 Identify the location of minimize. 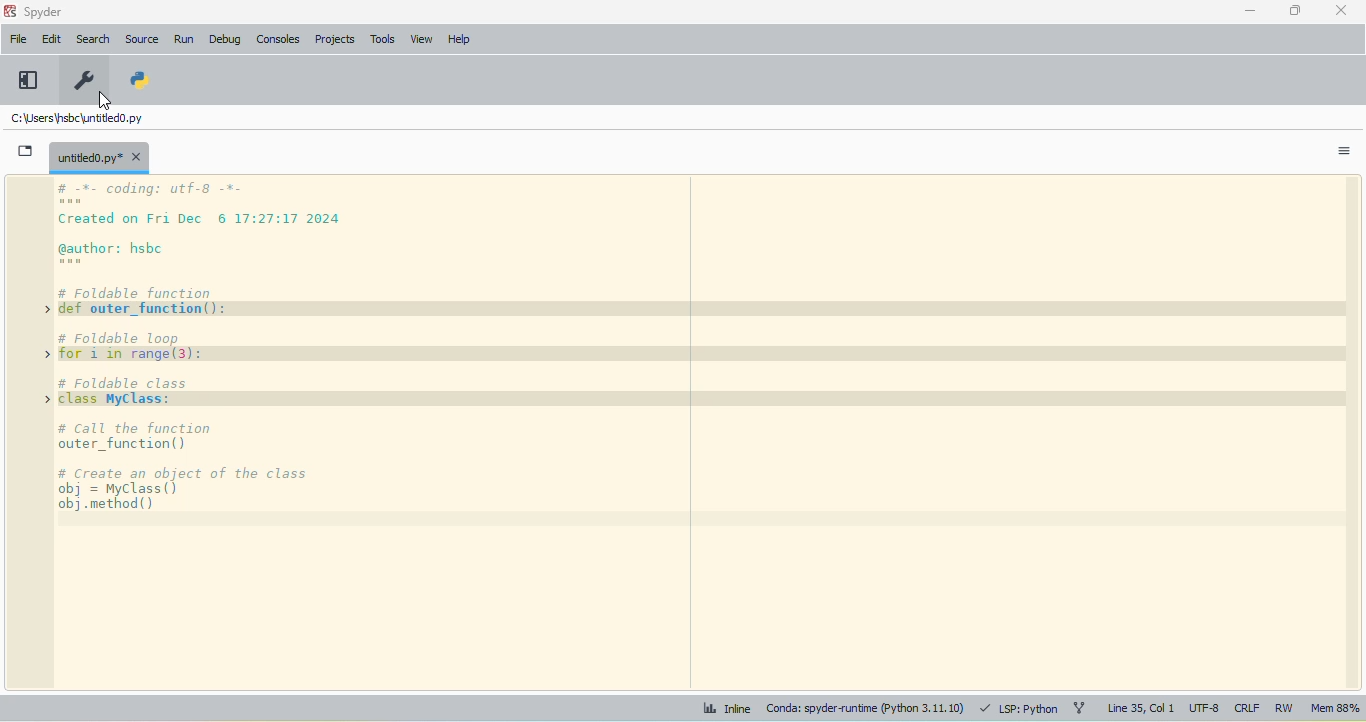
(1249, 11).